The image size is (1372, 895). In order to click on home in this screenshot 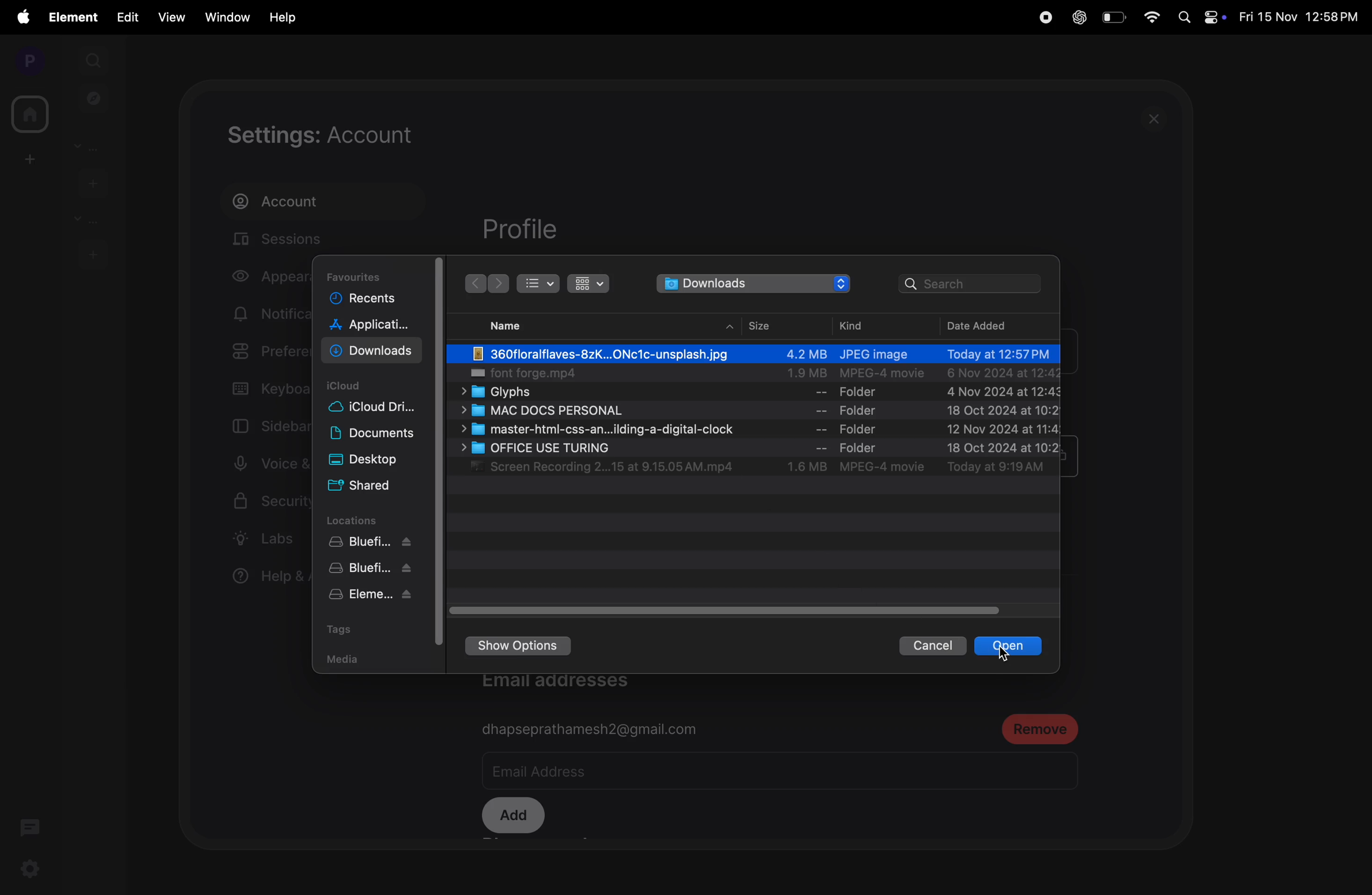, I will do `click(28, 114)`.